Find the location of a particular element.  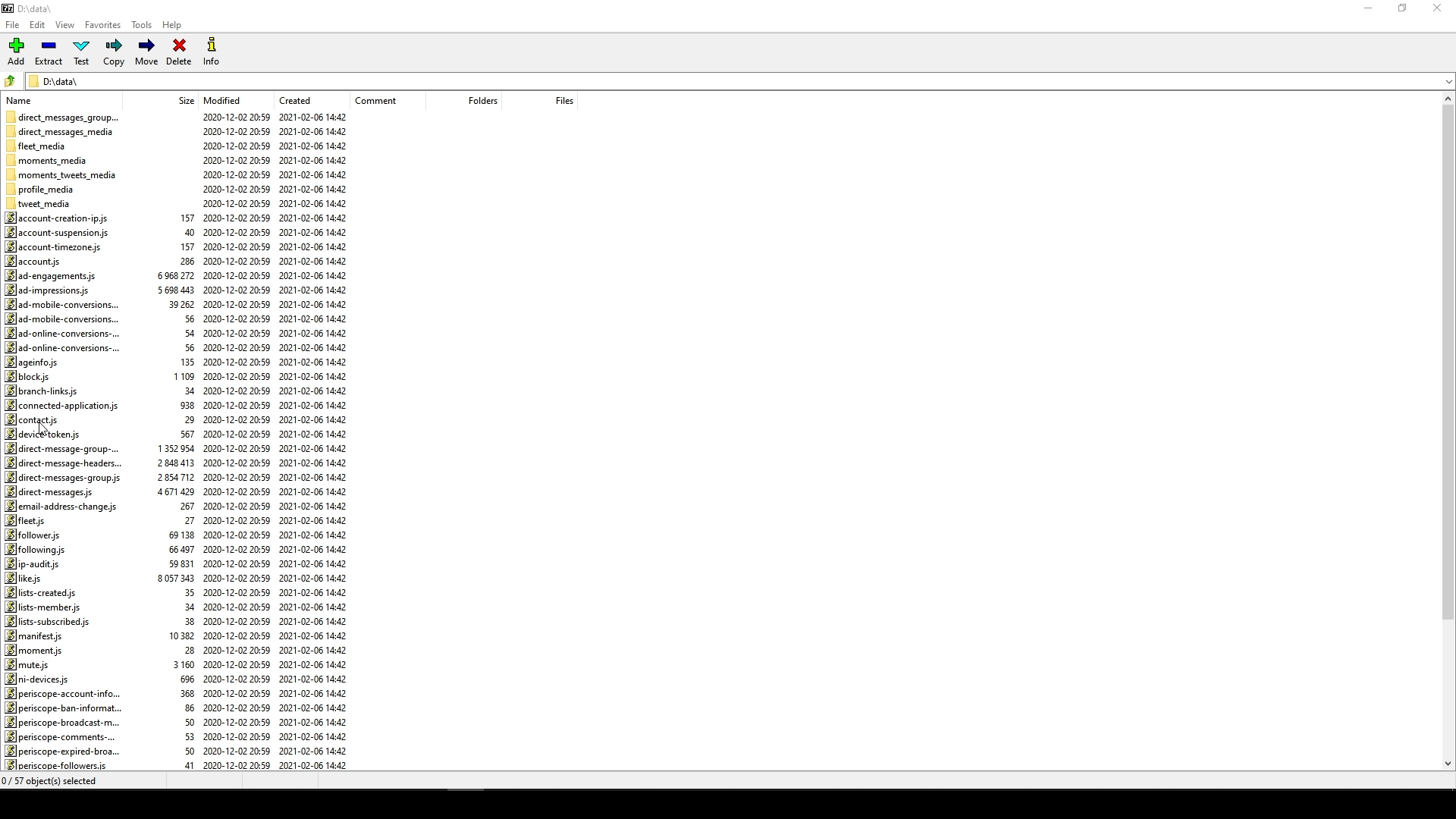

lists-member.js is located at coordinates (42, 607).